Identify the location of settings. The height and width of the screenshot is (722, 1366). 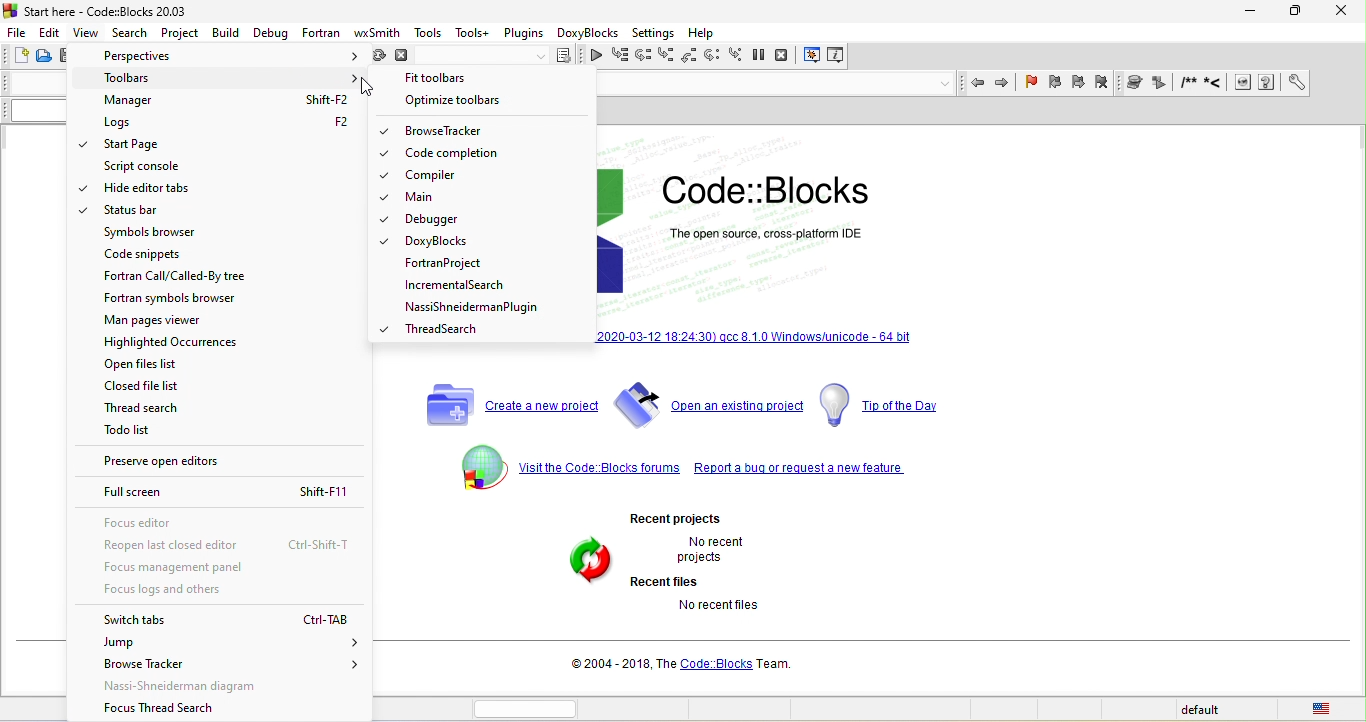
(657, 31).